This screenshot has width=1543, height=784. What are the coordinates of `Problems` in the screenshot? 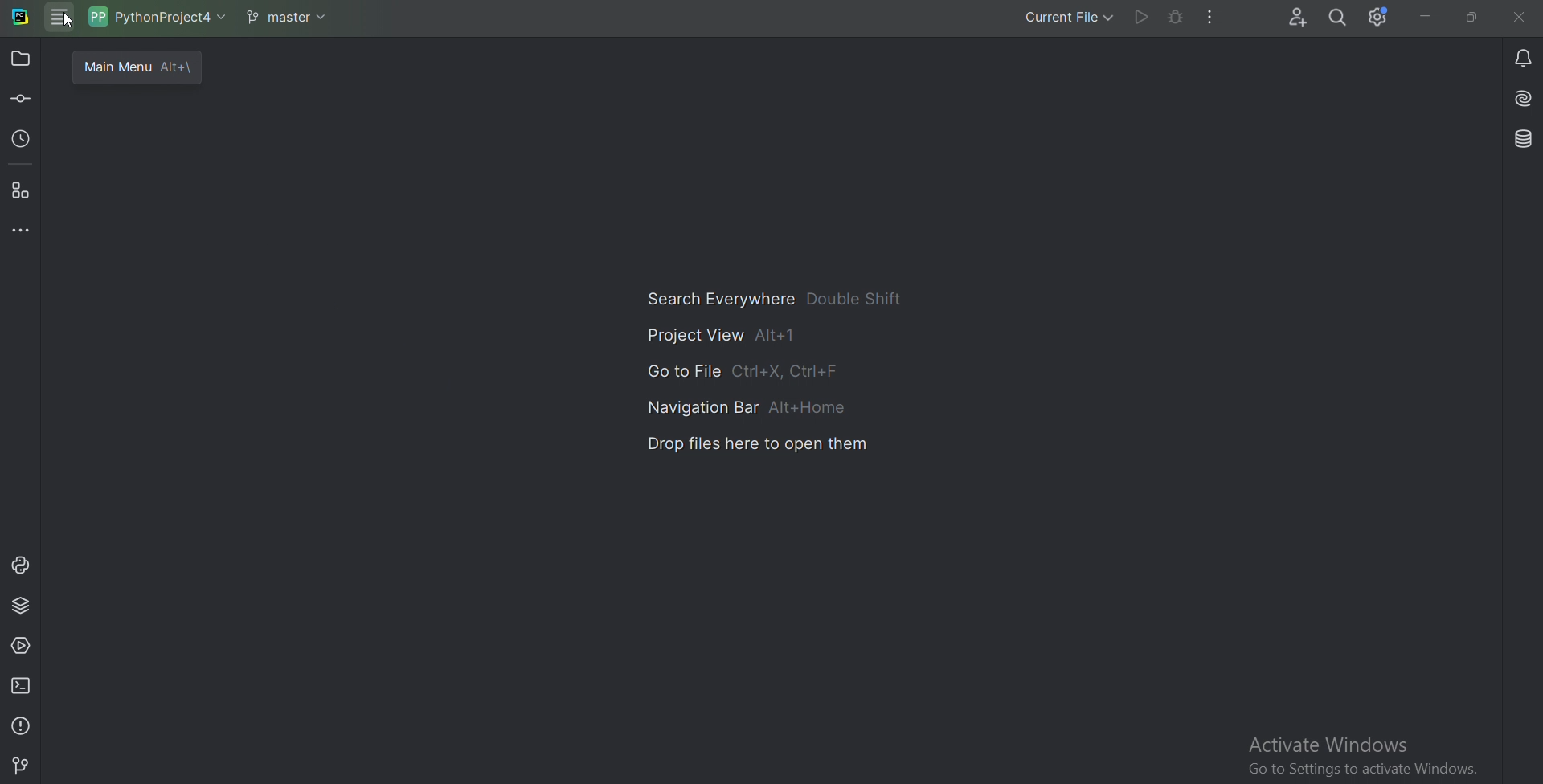 It's located at (23, 724).